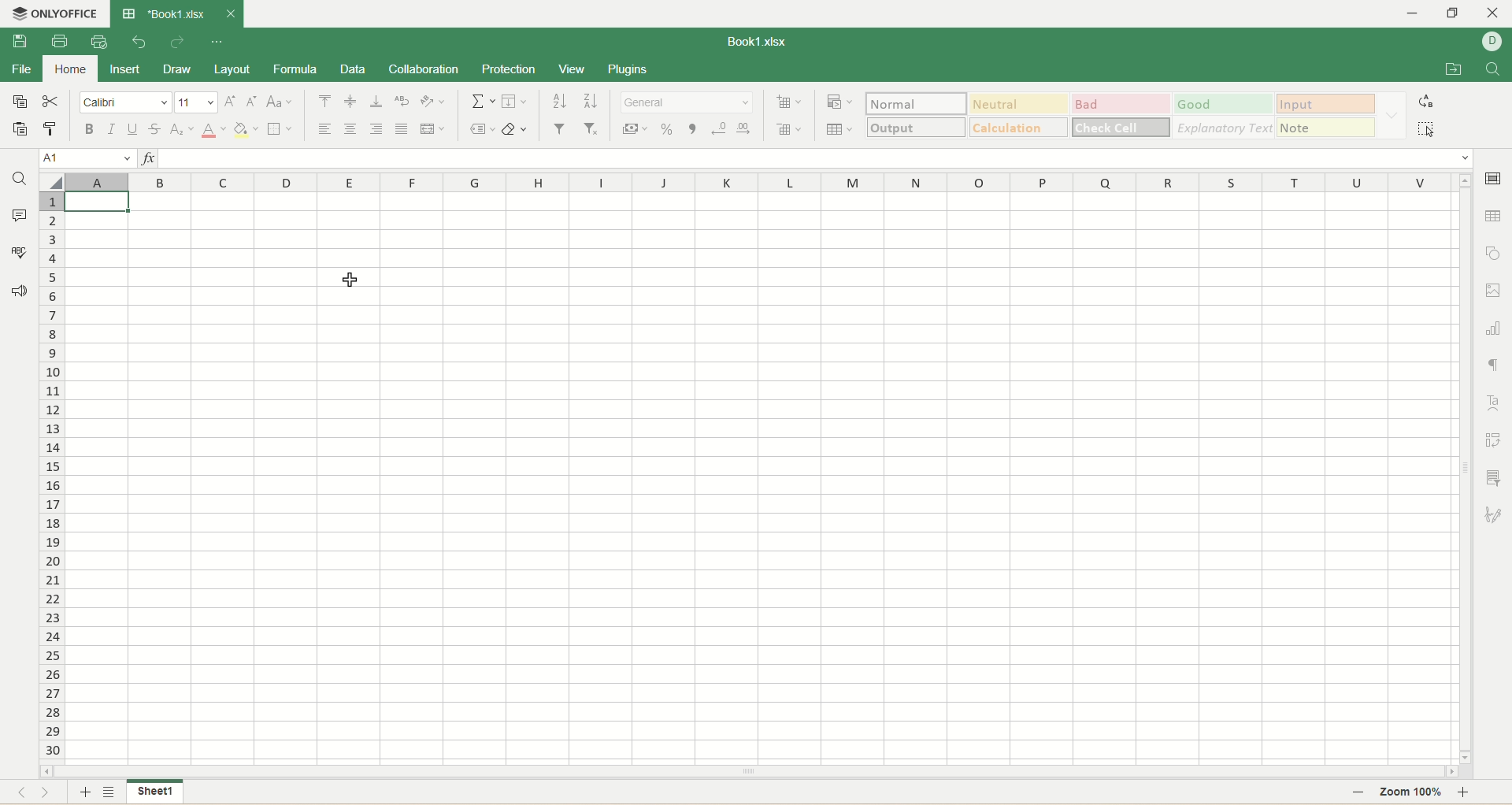 This screenshot has width=1512, height=805. Describe the element at coordinates (914, 104) in the screenshot. I see `normal` at that location.